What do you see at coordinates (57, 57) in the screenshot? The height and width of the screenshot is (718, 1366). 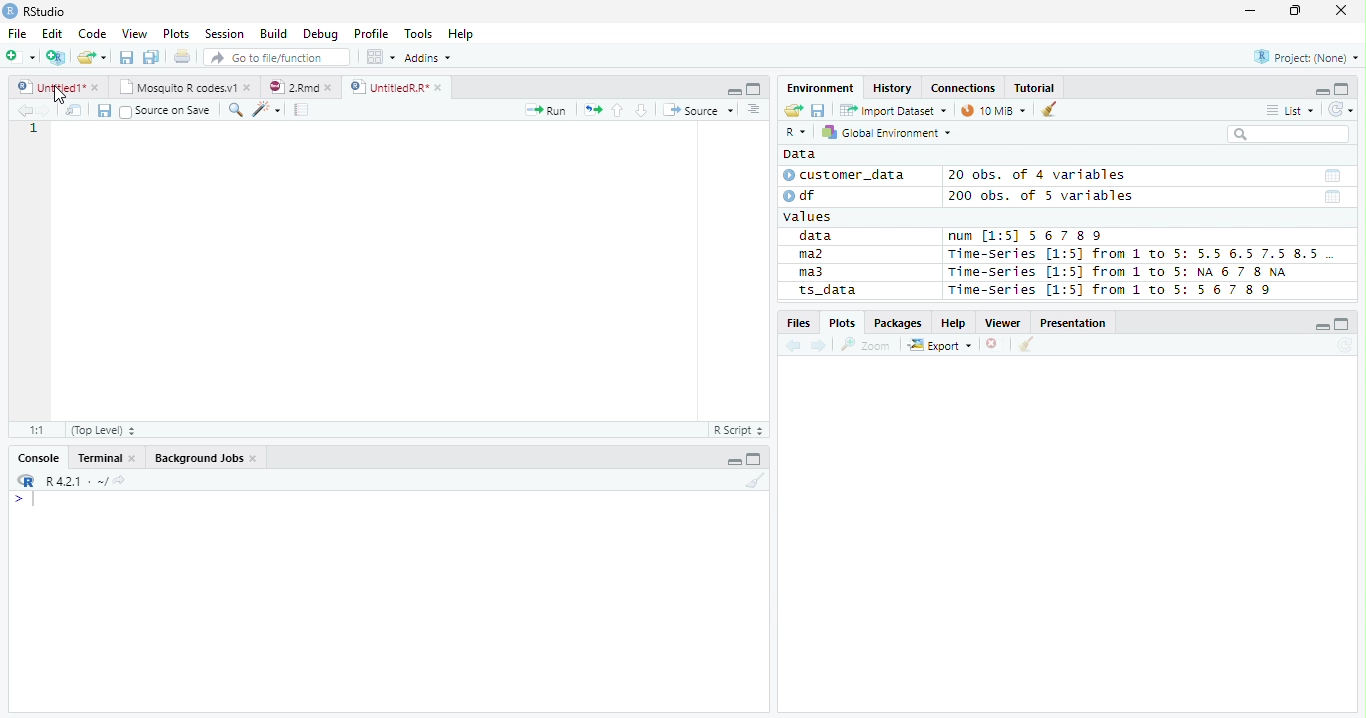 I see `Create Project` at bounding box center [57, 57].